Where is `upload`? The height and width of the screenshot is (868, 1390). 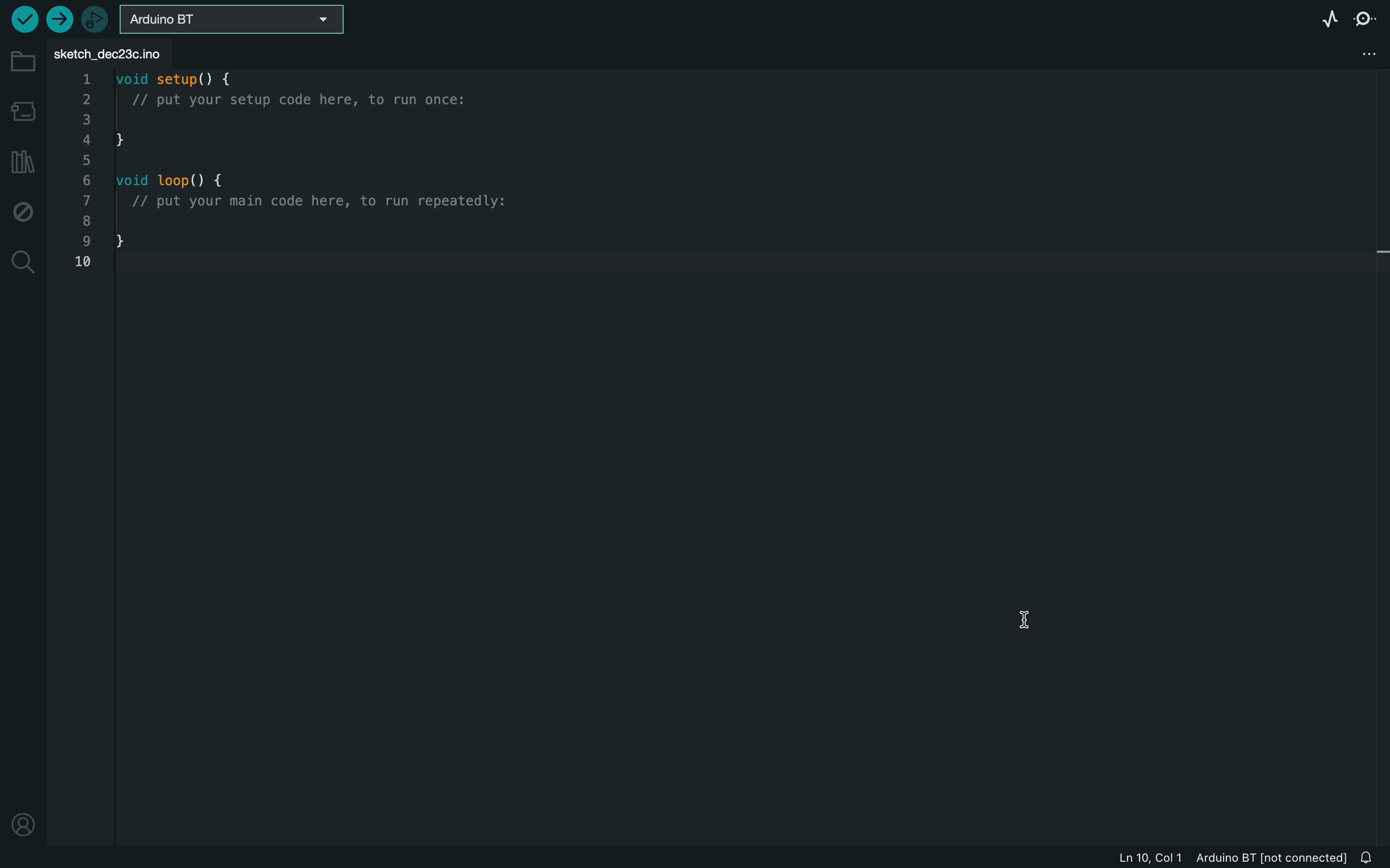
upload is located at coordinates (59, 21).